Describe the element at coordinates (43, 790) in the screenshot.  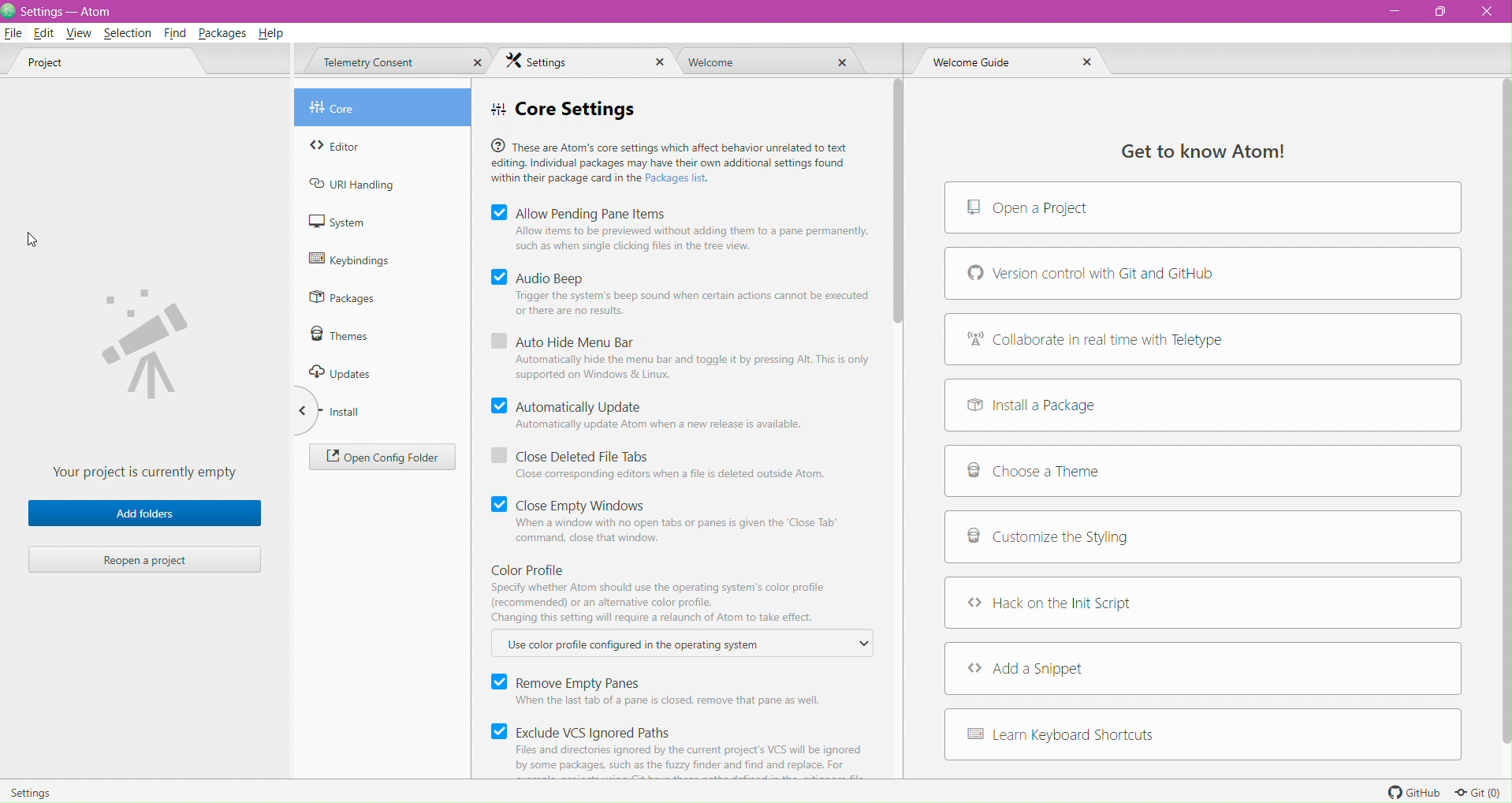
I see `Settings` at that location.